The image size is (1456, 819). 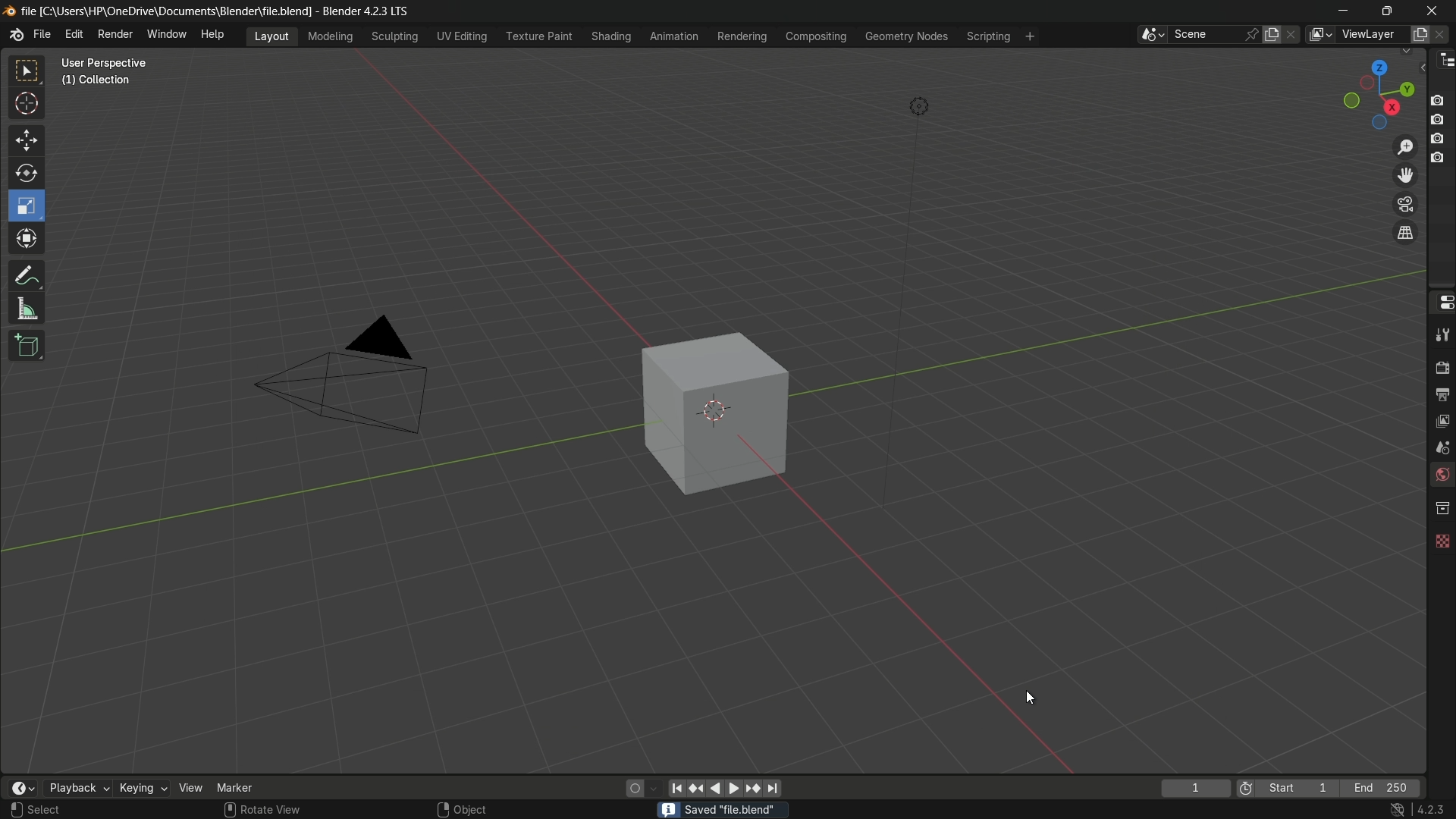 What do you see at coordinates (1443, 33) in the screenshot?
I see `remove view layer` at bounding box center [1443, 33].